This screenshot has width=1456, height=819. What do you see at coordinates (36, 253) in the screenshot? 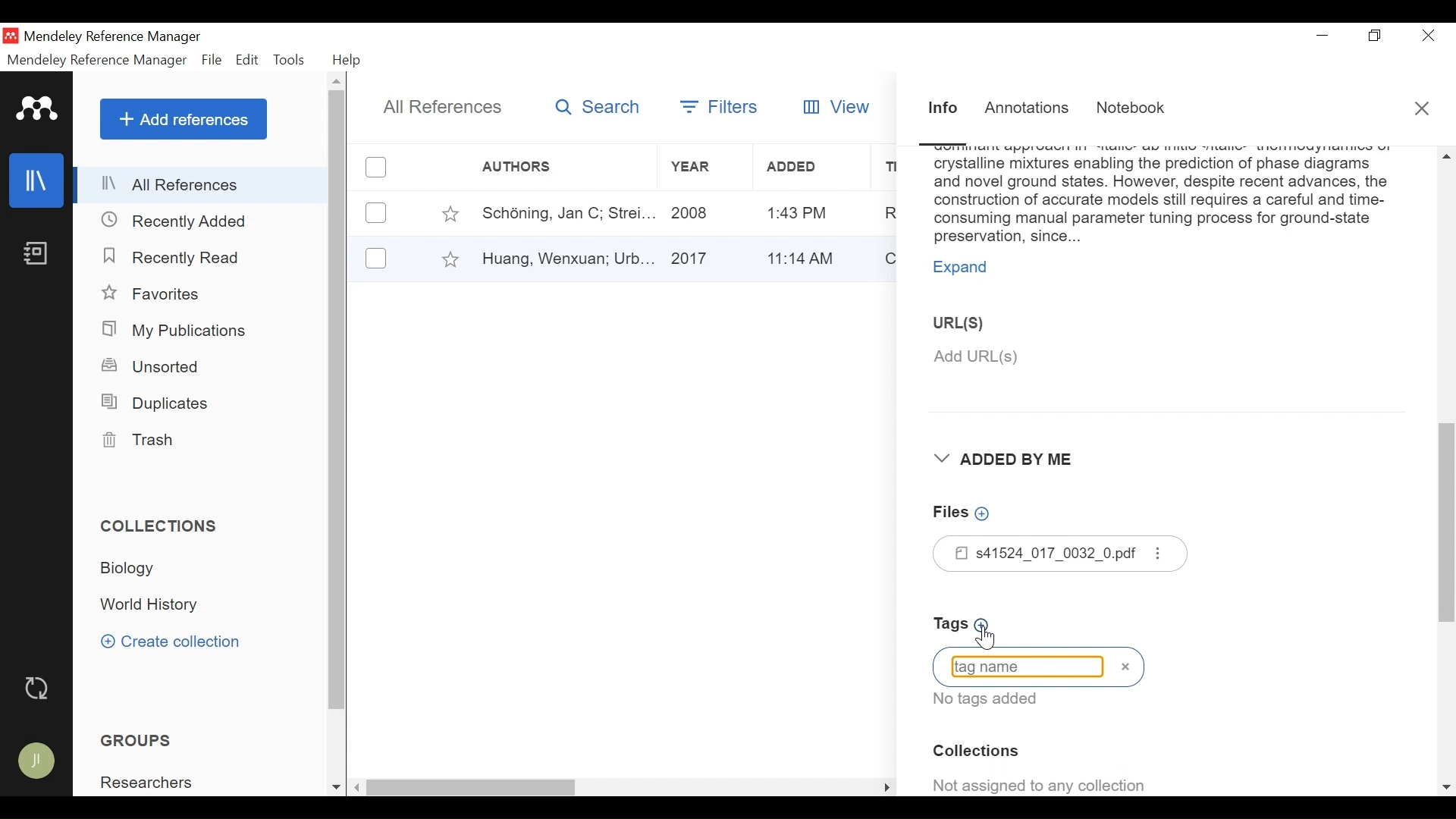
I see `Notebook` at bounding box center [36, 253].